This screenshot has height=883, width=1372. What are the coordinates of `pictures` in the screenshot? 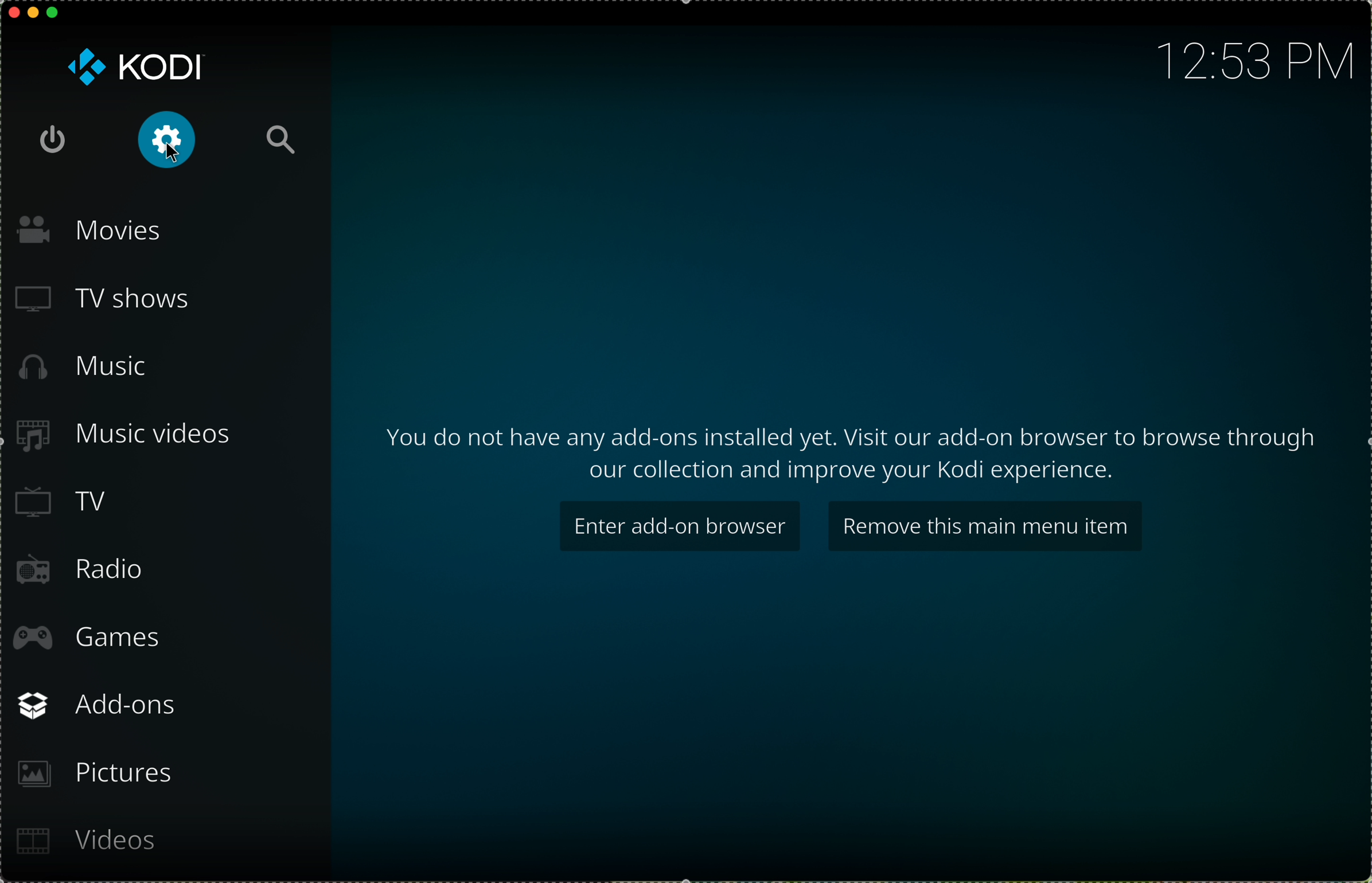 It's located at (111, 777).